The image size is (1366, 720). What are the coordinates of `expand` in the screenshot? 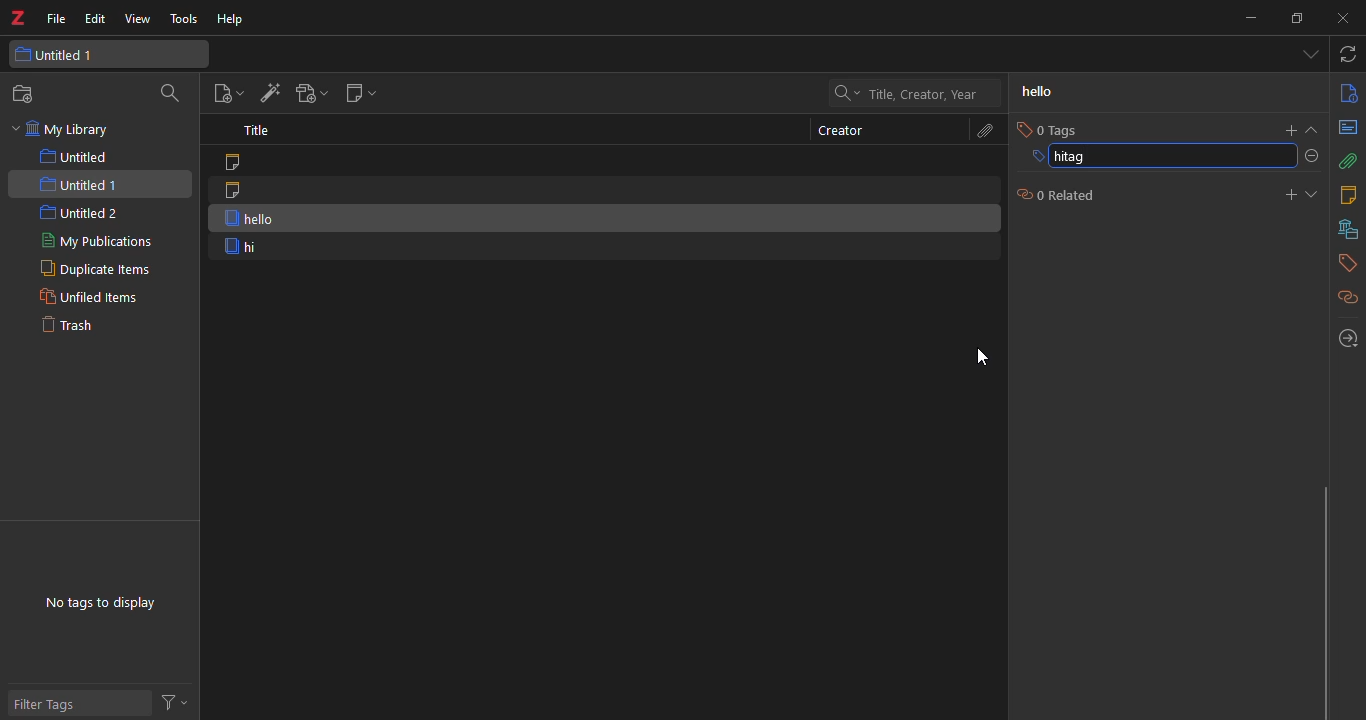 It's located at (1316, 130).